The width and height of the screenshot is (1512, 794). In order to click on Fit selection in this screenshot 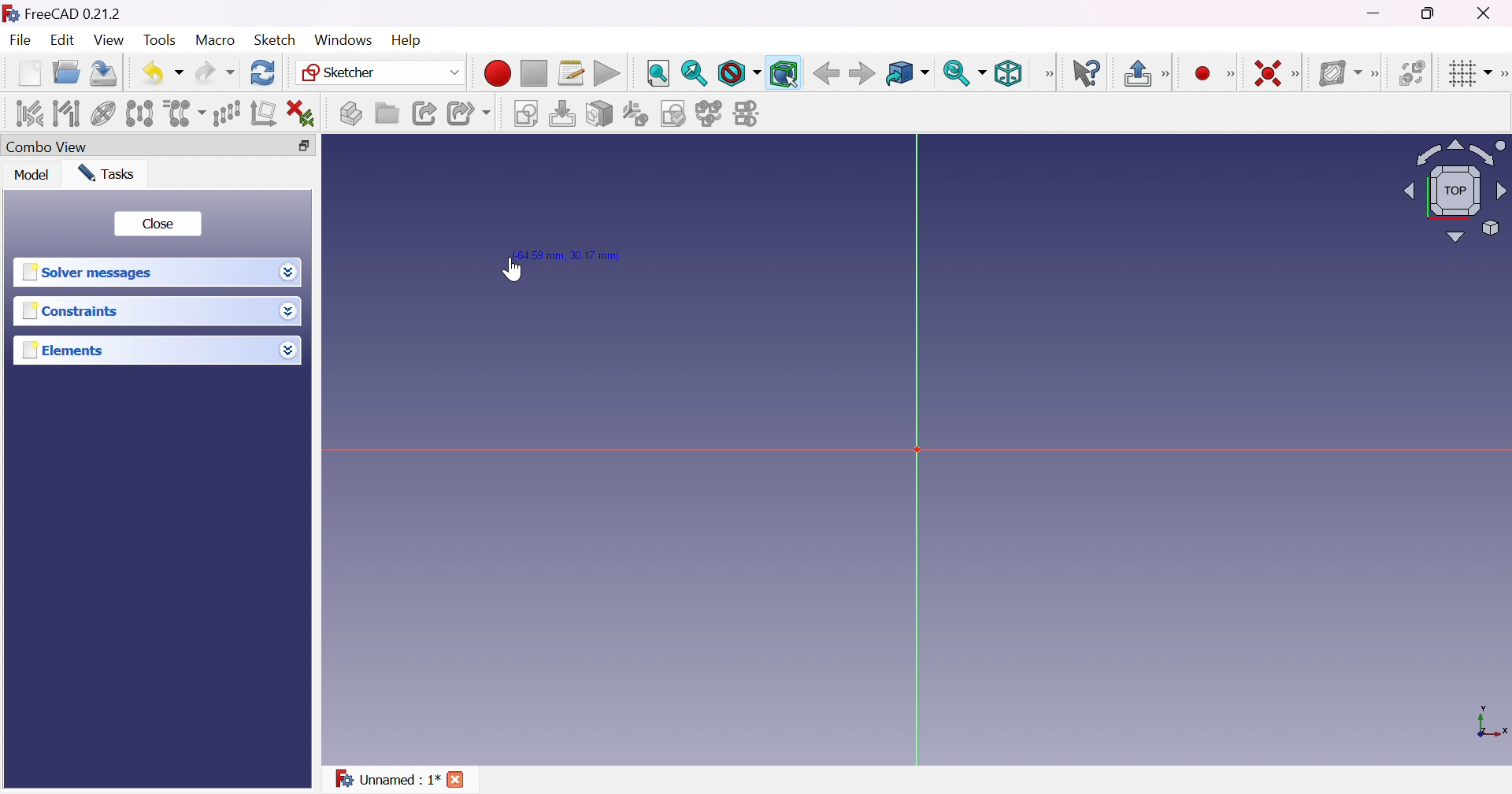, I will do `click(694, 73)`.